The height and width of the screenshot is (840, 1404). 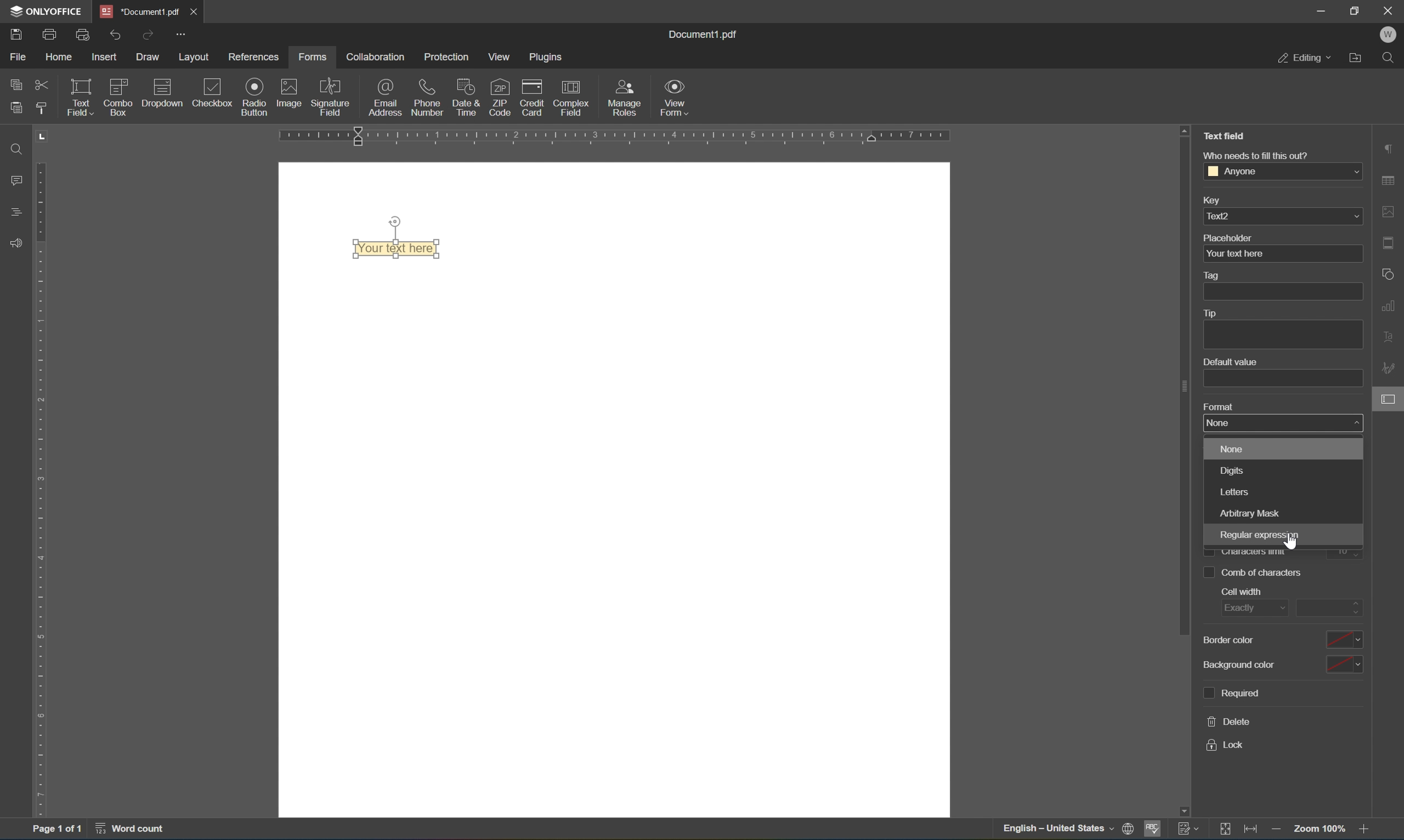 I want to click on ruler, so click(x=37, y=490).